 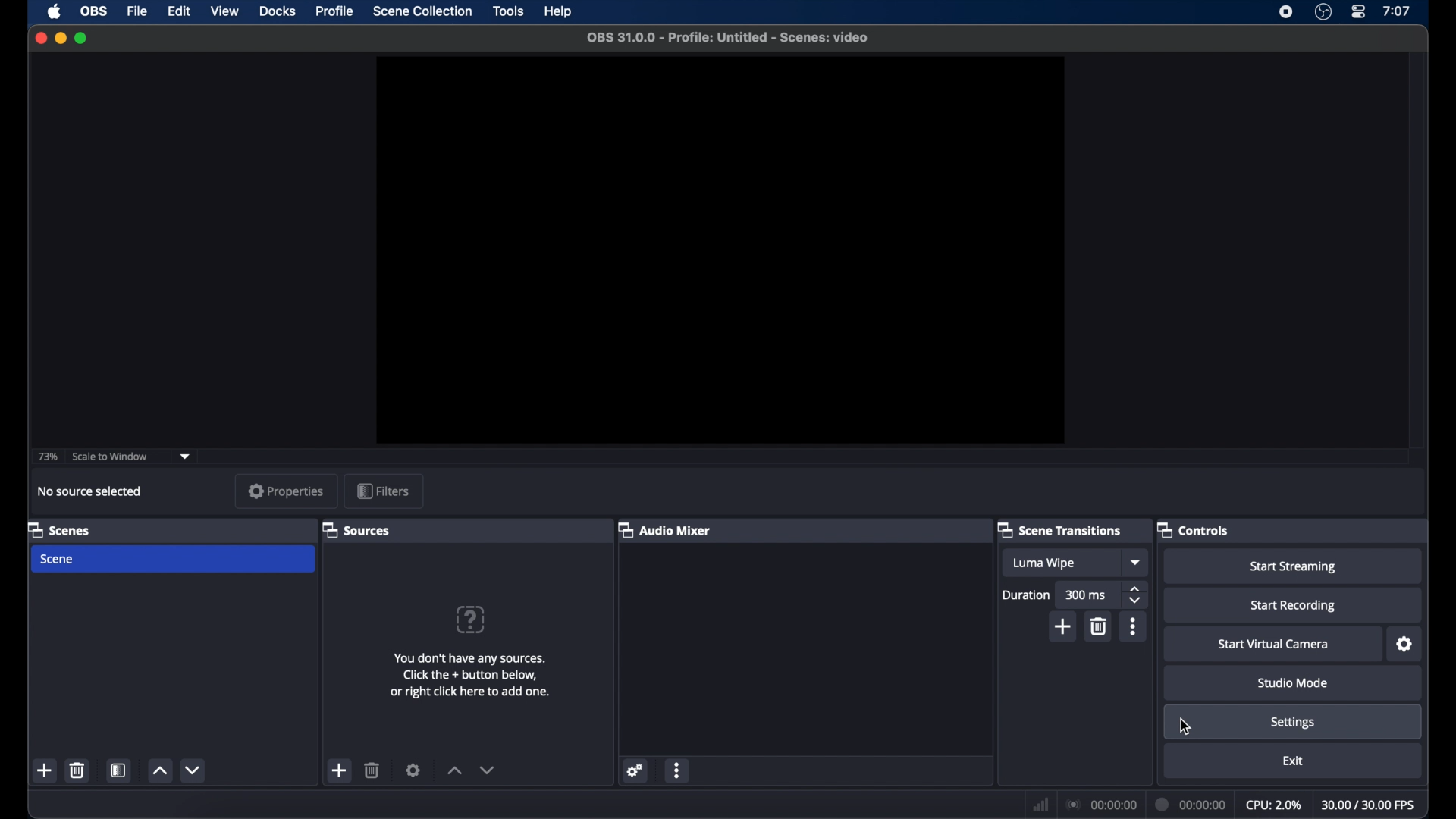 What do you see at coordinates (340, 770) in the screenshot?
I see `add` at bounding box center [340, 770].